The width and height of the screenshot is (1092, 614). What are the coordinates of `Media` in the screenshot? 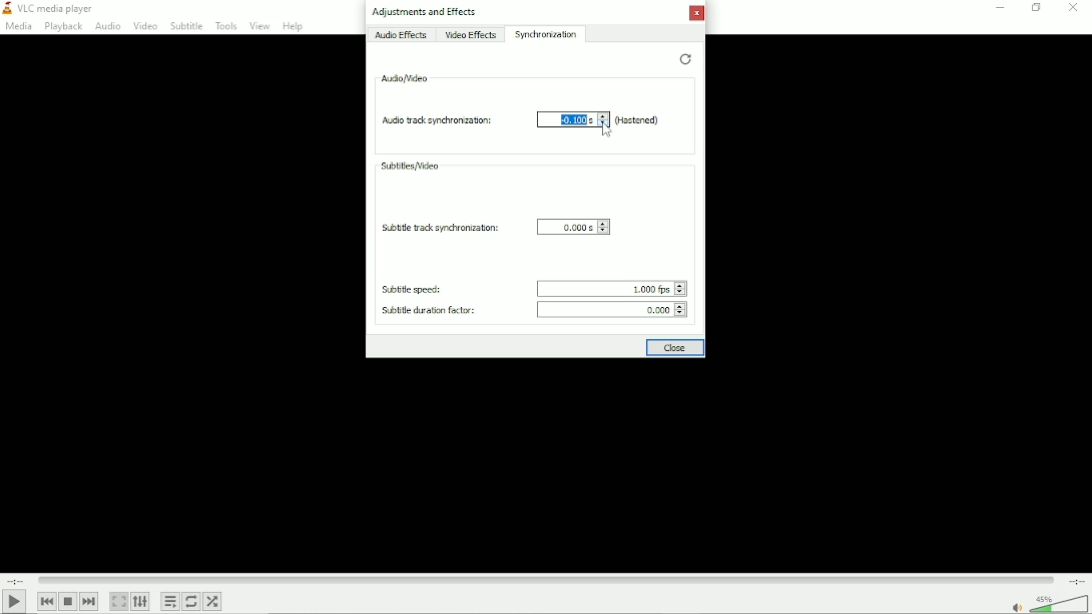 It's located at (18, 27).